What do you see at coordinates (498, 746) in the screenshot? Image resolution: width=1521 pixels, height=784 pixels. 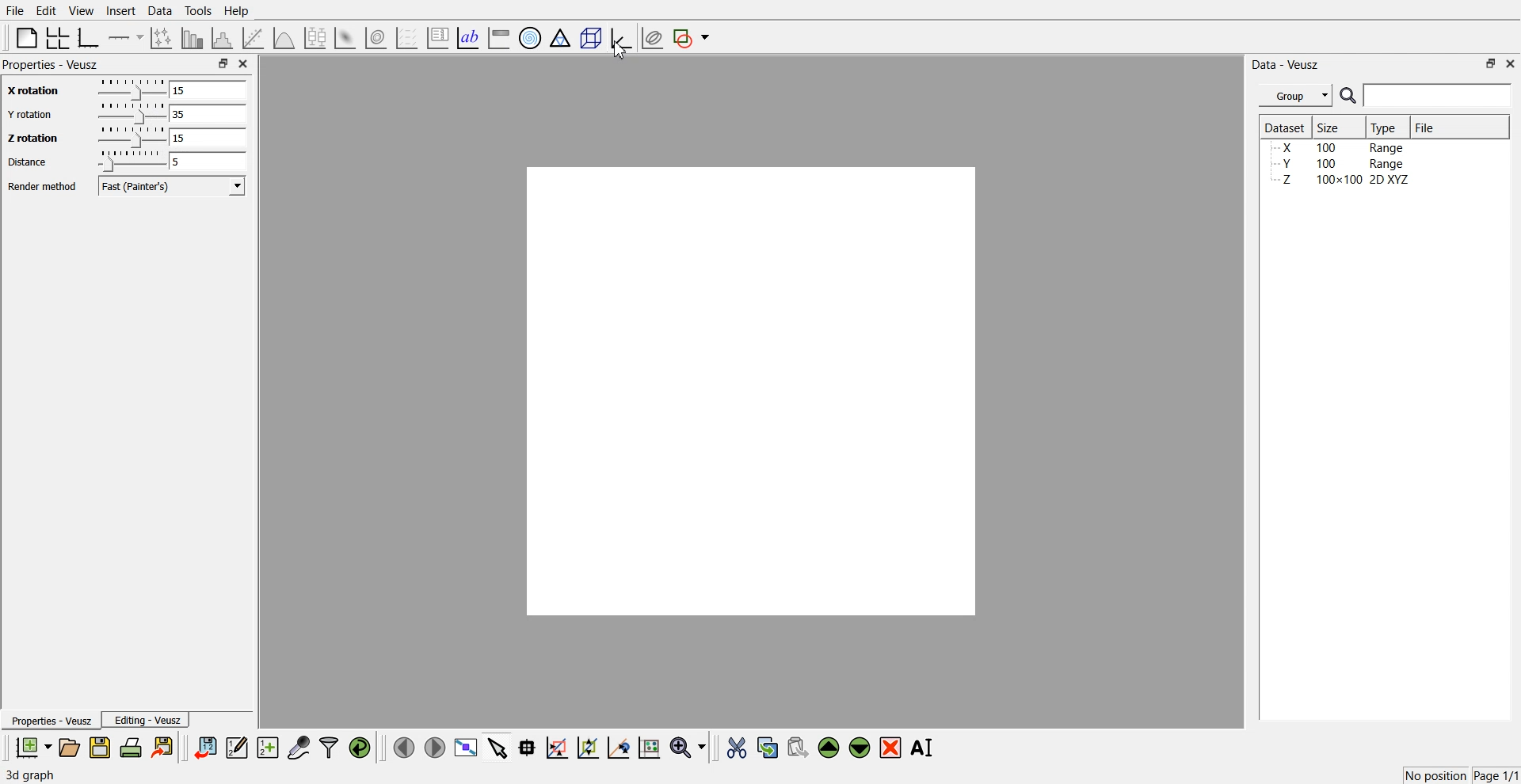 I see `Select items from graph or scroll` at bounding box center [498, 746].